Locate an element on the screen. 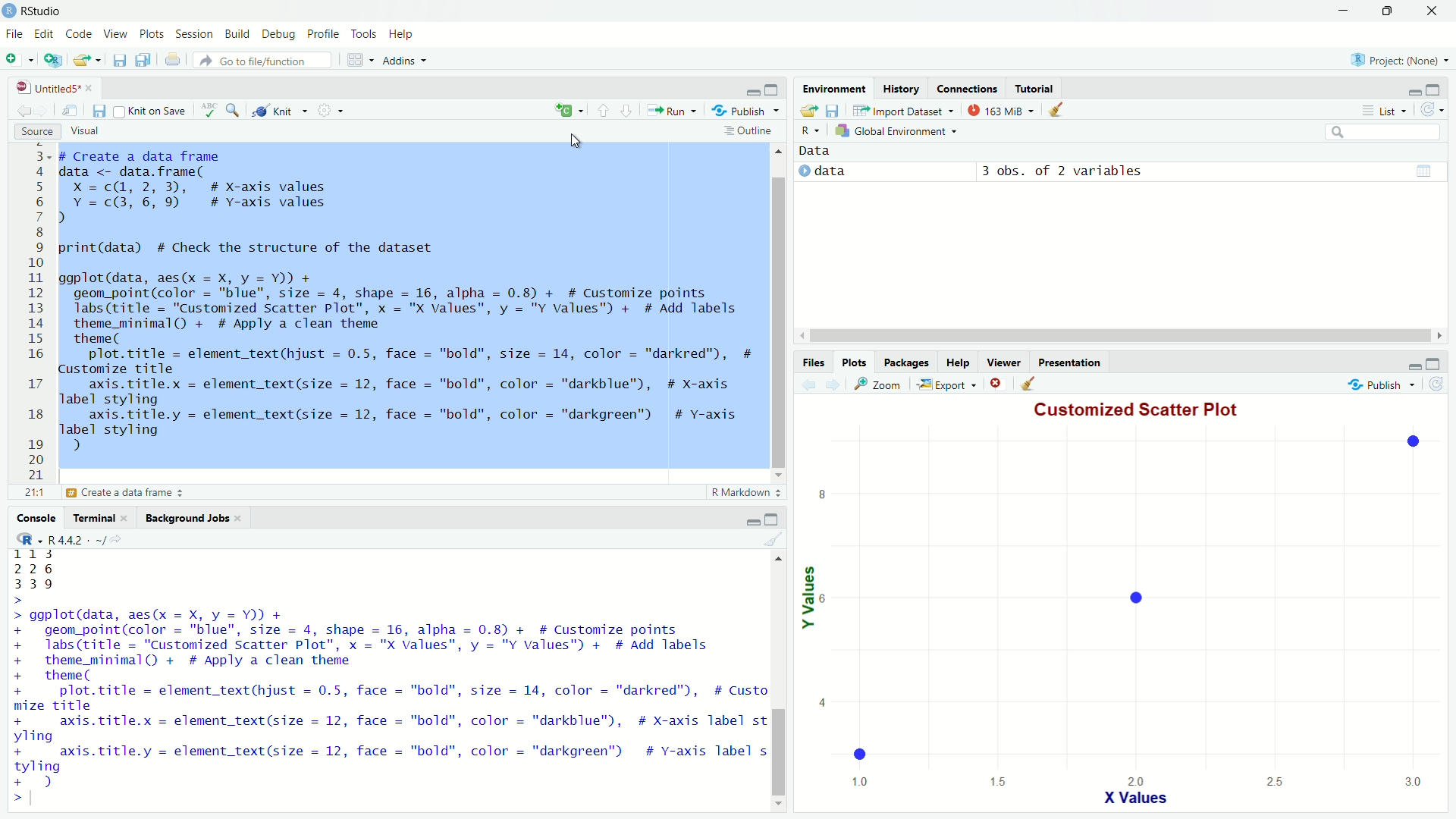  delete selected files or folder is located at coordinates (997, 385).